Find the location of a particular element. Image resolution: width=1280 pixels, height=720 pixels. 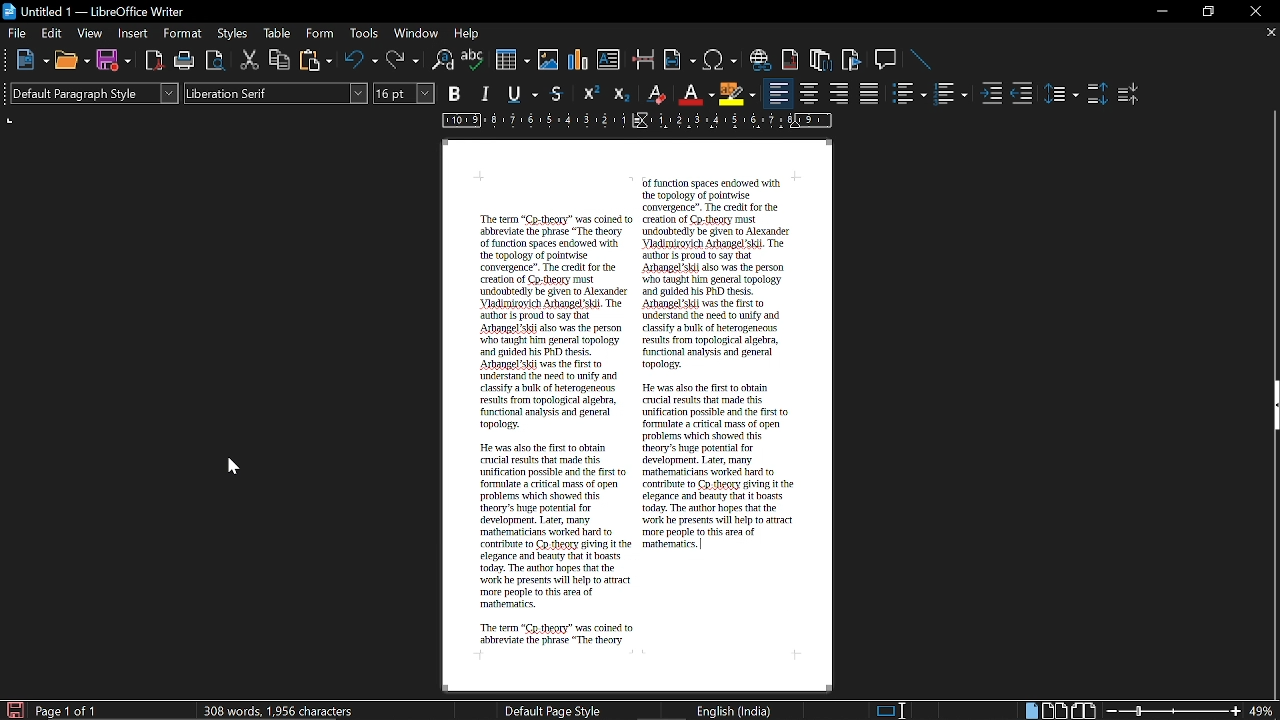

Minimize is located at coordinates (1159, 11).